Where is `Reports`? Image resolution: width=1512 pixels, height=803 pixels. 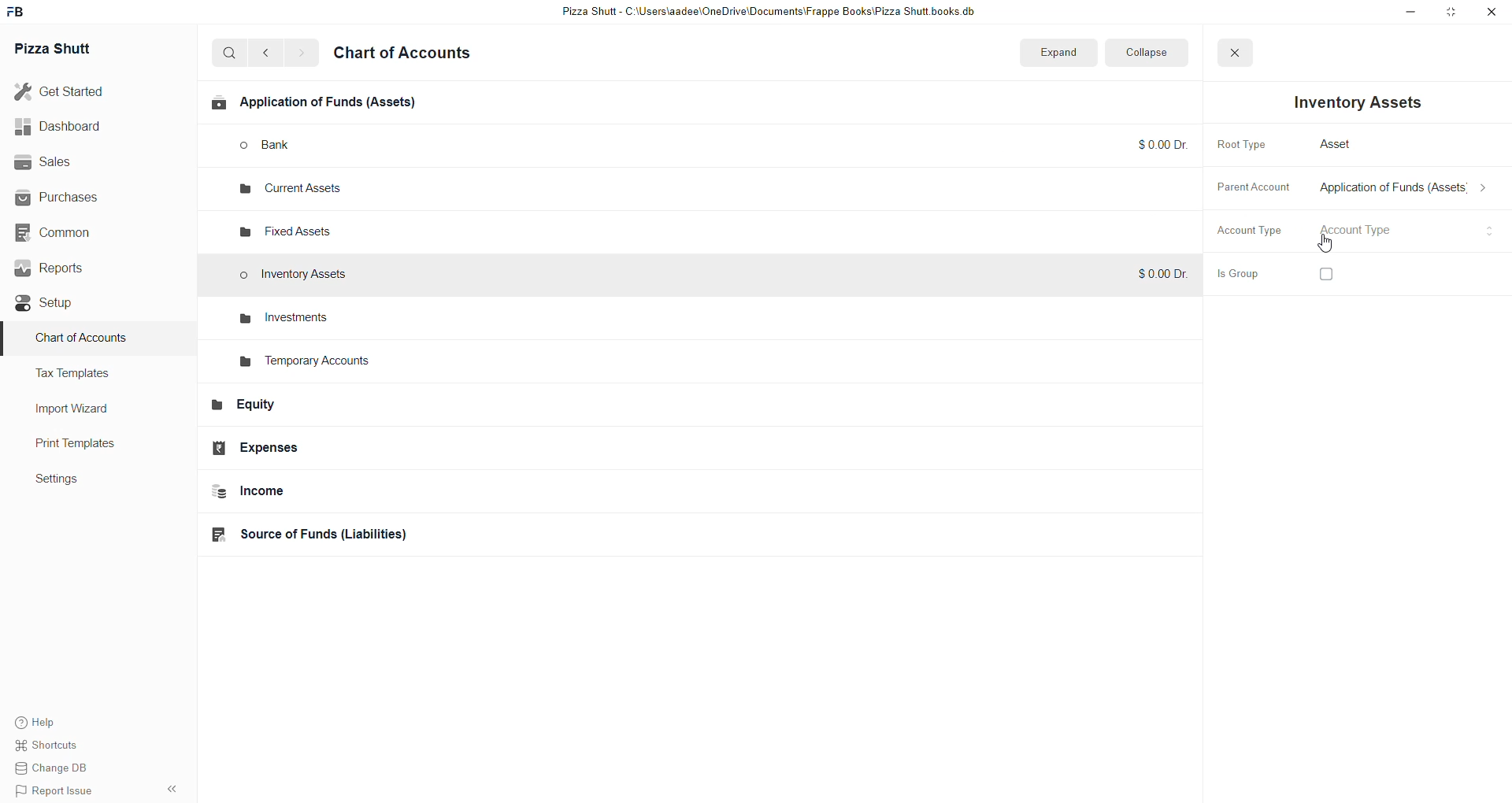 Reports is located at coordinates (69, 270).